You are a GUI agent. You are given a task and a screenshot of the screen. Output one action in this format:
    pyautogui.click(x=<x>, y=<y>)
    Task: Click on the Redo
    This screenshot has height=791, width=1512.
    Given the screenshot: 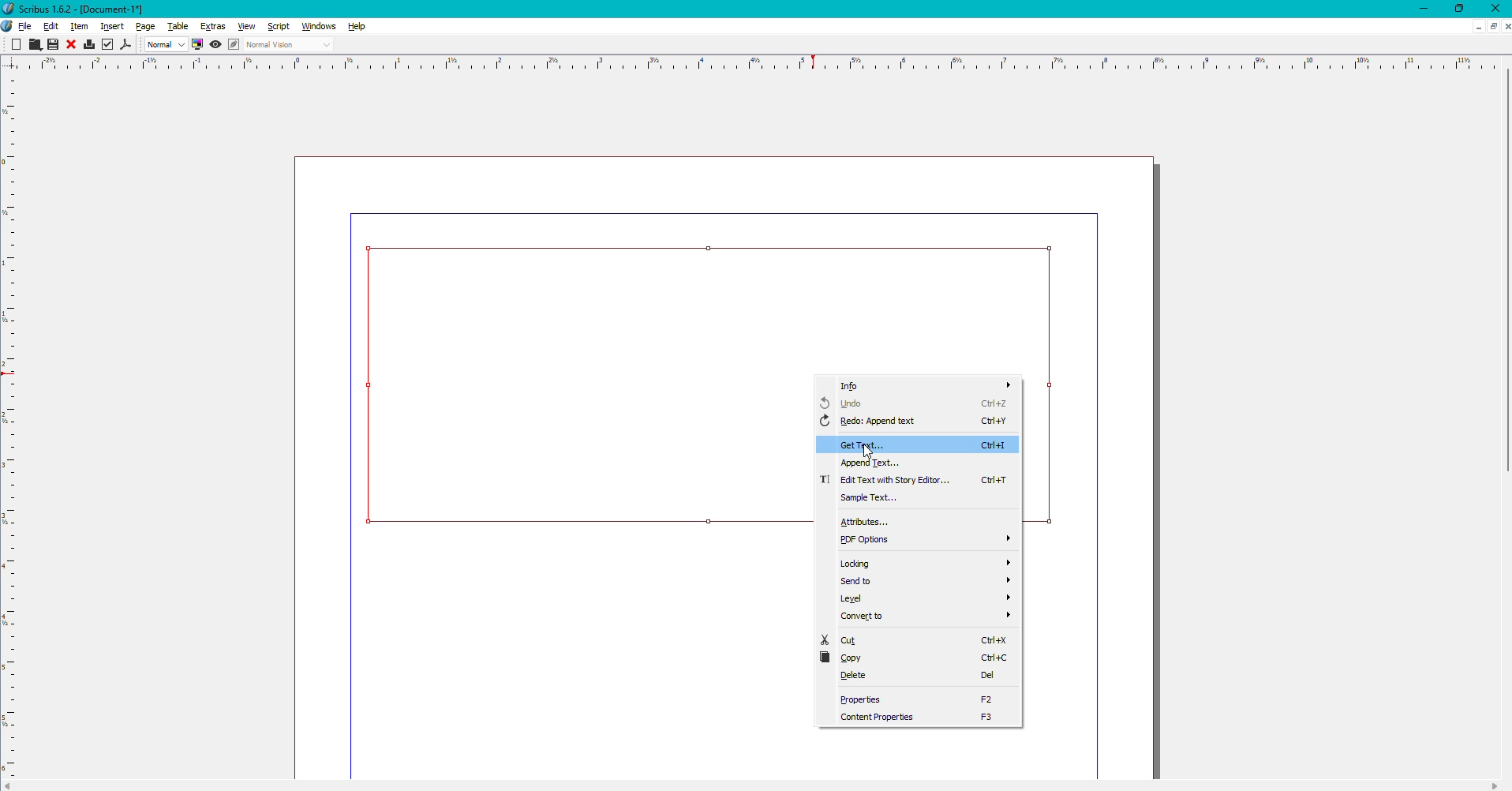 What is the action you would take?
    pyautogui.click(x=910, y=422)
    